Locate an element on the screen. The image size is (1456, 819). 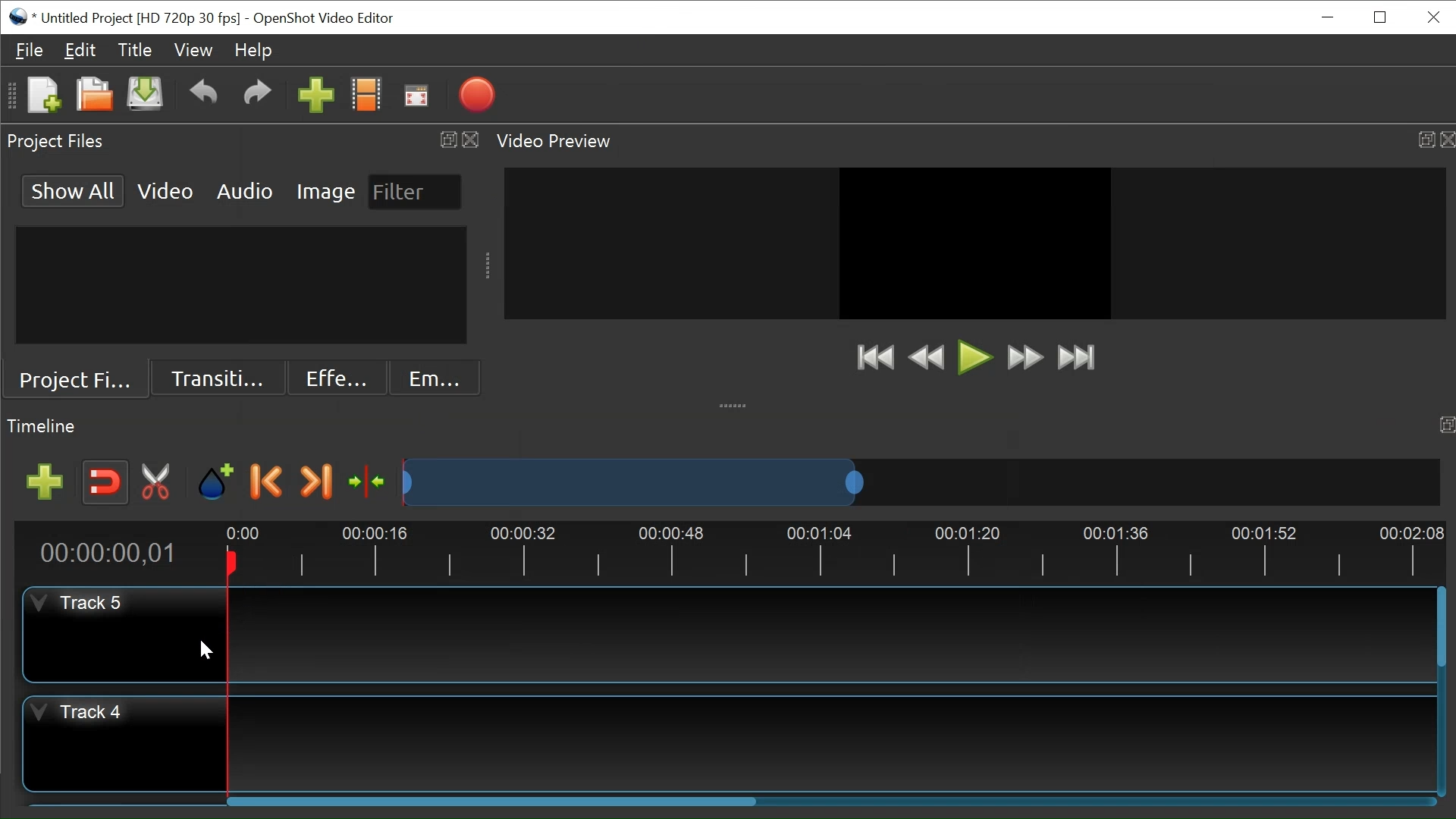
OpenShot Video Editor is located at coordinates (327, 20).